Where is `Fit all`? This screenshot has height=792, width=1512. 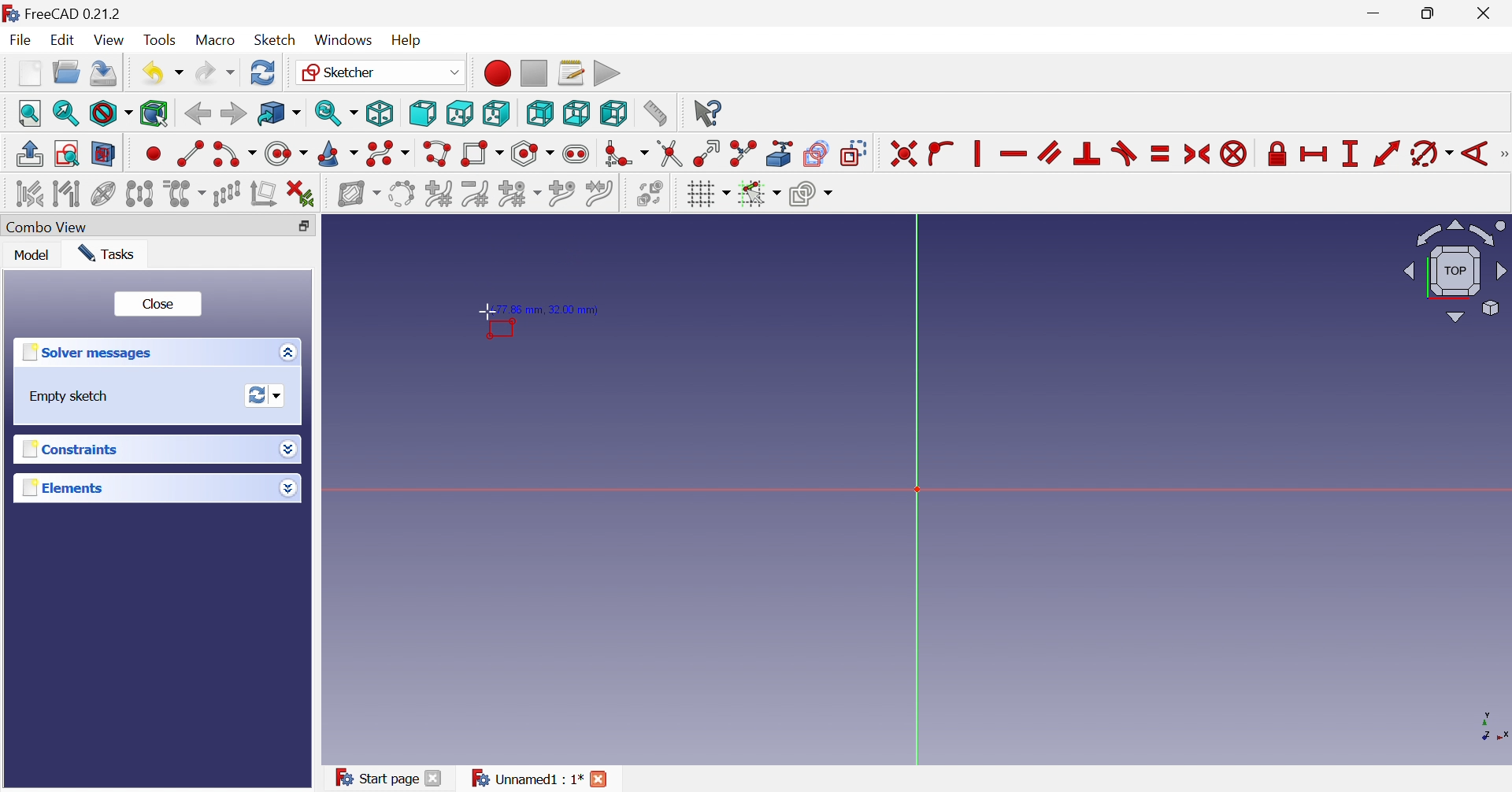
Fit all is located at coordinates (31, 113).